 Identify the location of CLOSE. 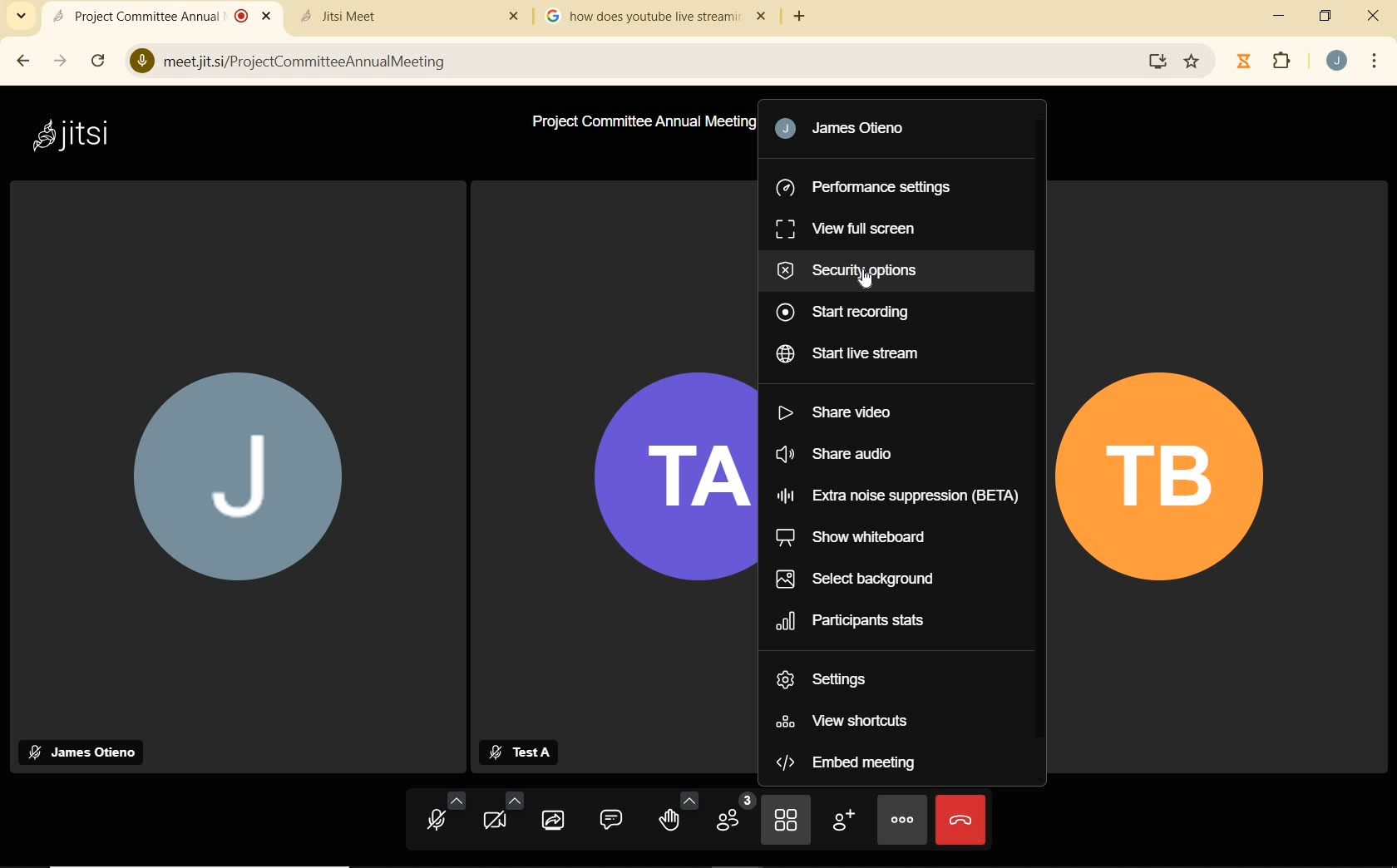
(1368, 15).